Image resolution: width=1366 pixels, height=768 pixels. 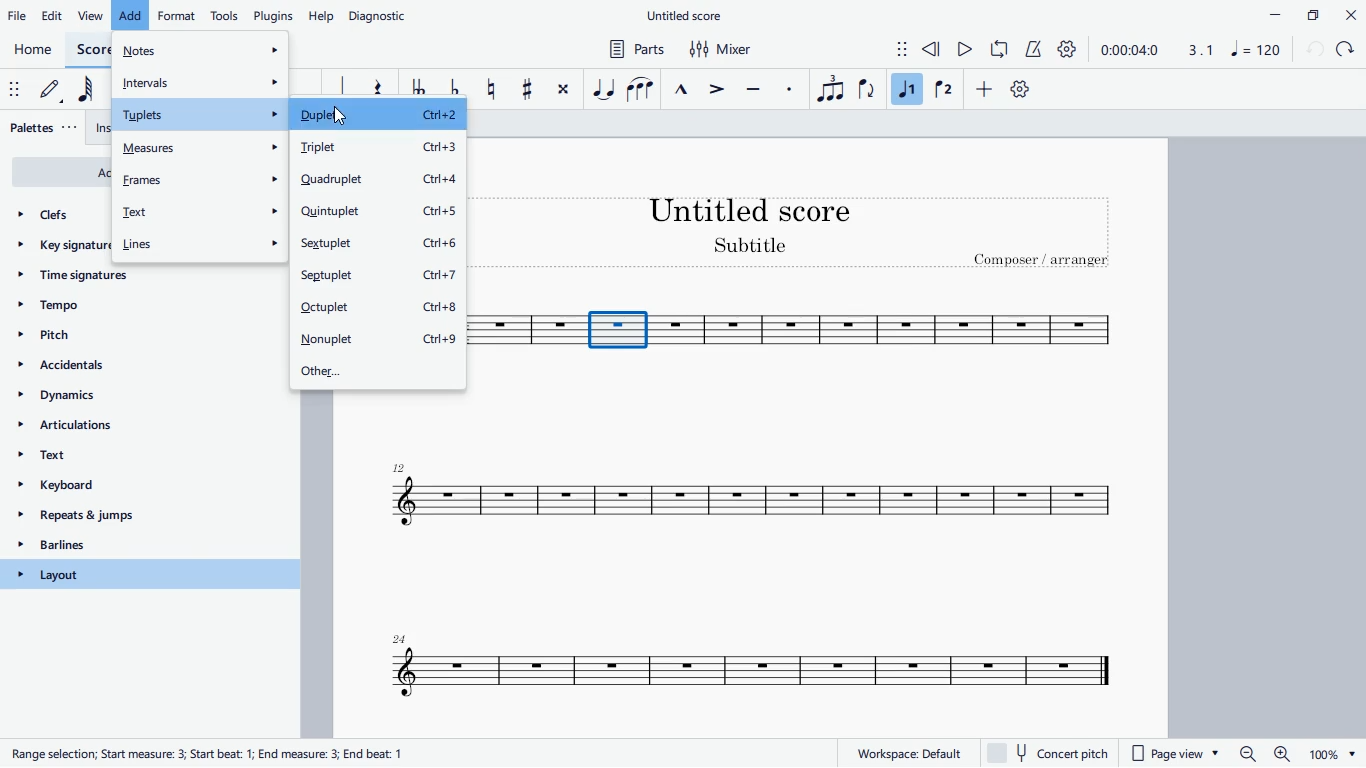 I want to click on loop playback, so click(x=1001, y=49).